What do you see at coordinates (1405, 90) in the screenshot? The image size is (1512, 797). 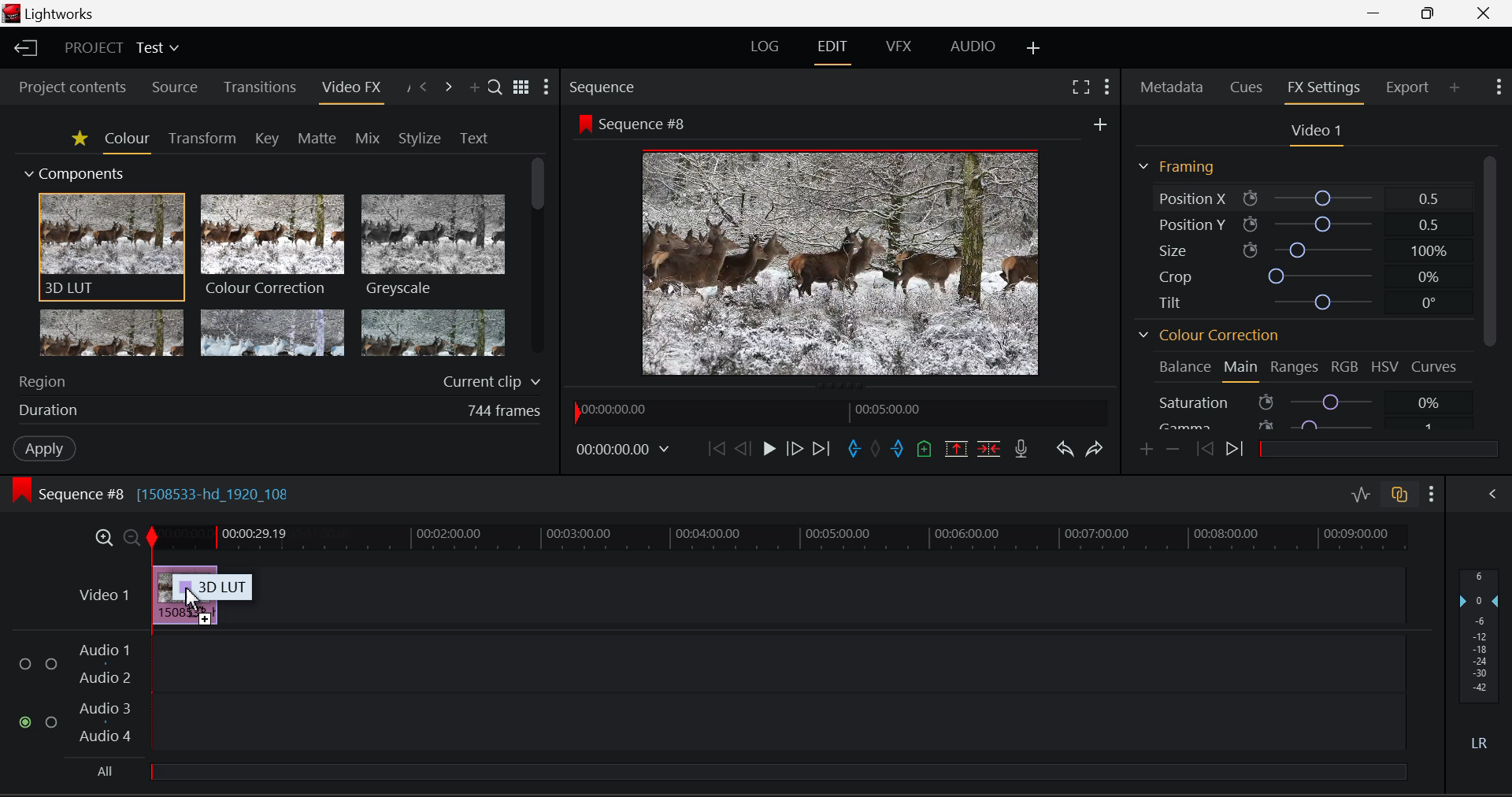 I see `Export` at bounding box center [1405, 90].